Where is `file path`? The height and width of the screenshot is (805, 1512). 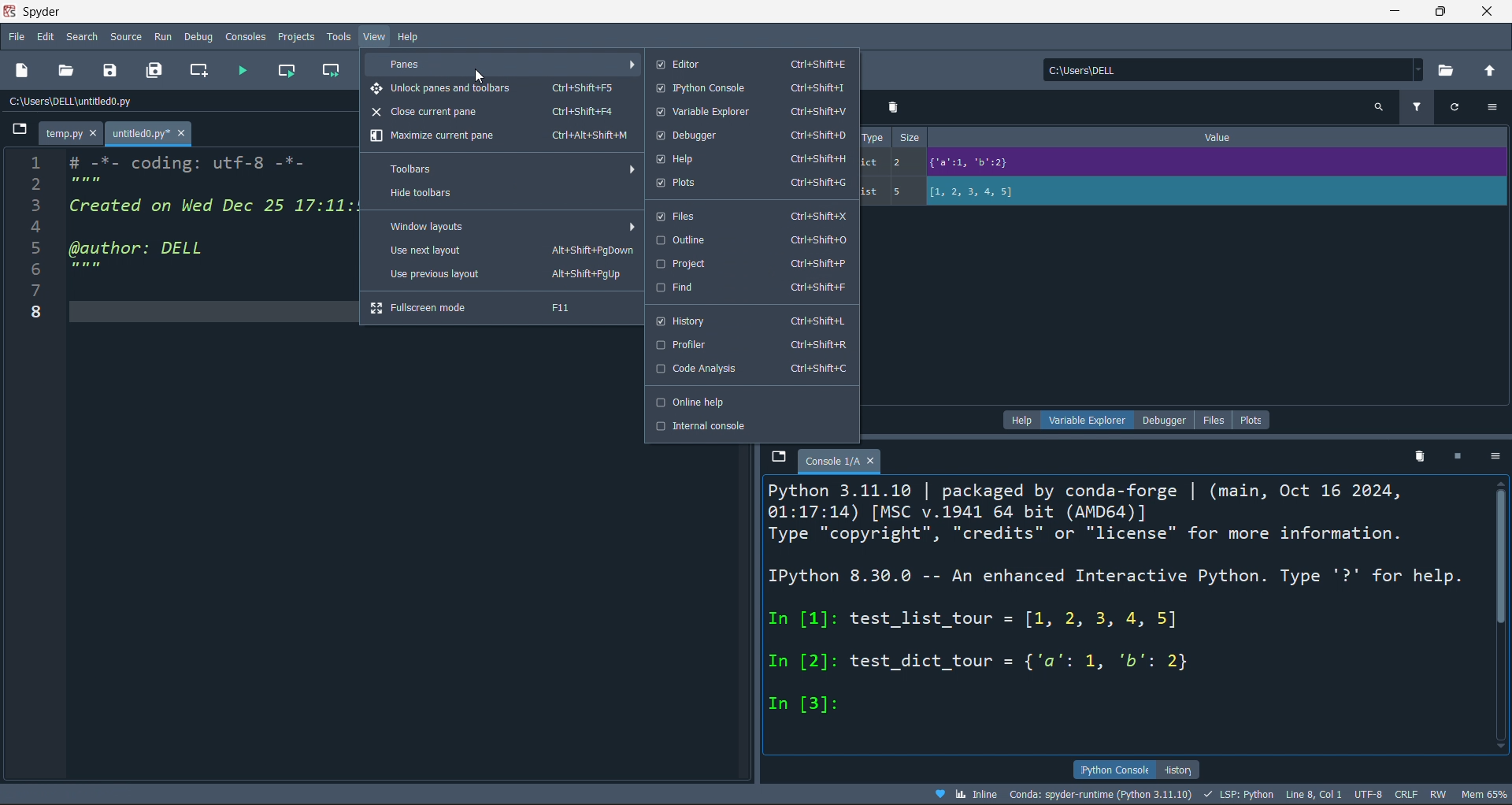
file path is located at coordinates (179, 103).